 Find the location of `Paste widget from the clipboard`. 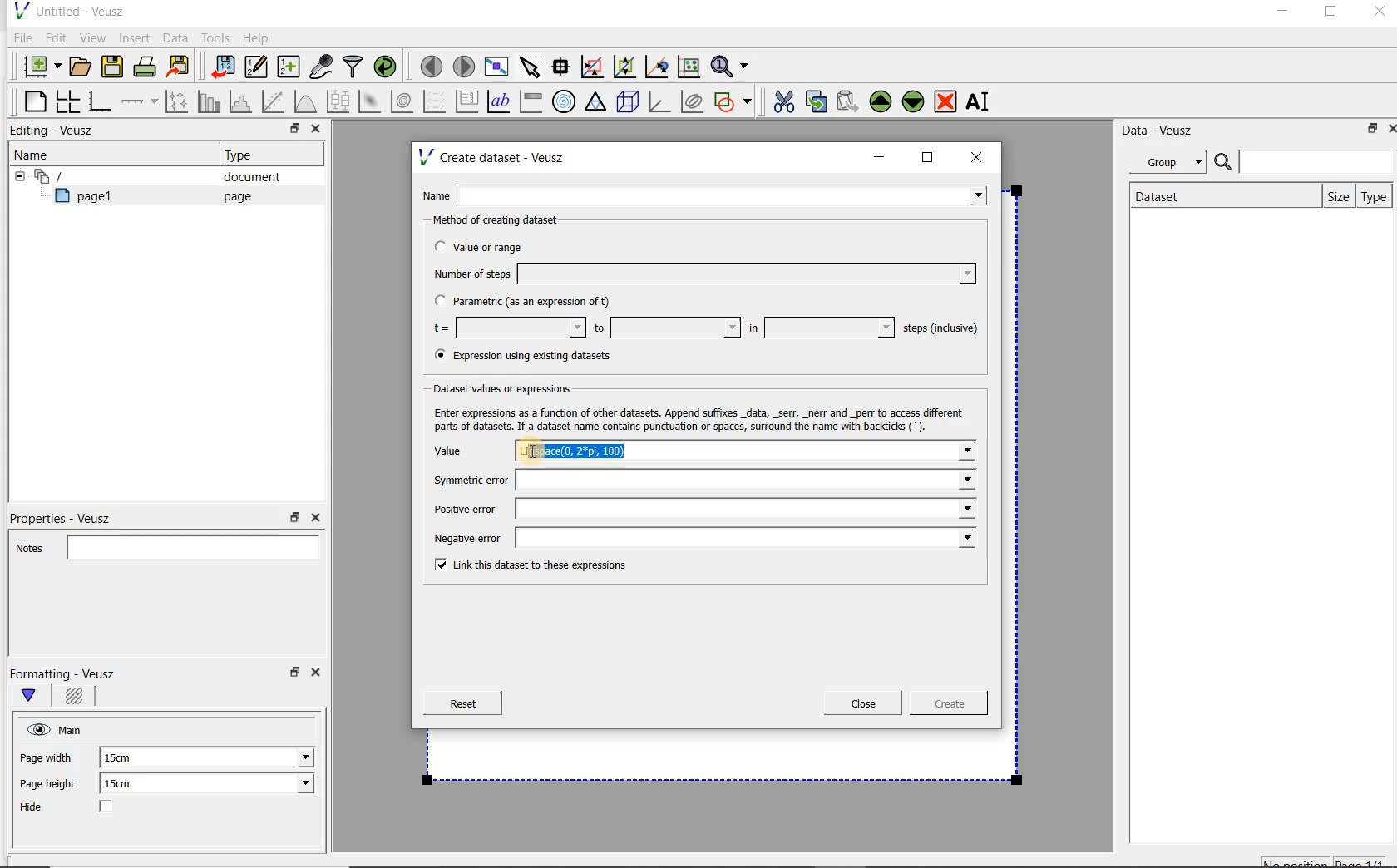

Paste widget from the clipboard is located at coordinates (850, 101).